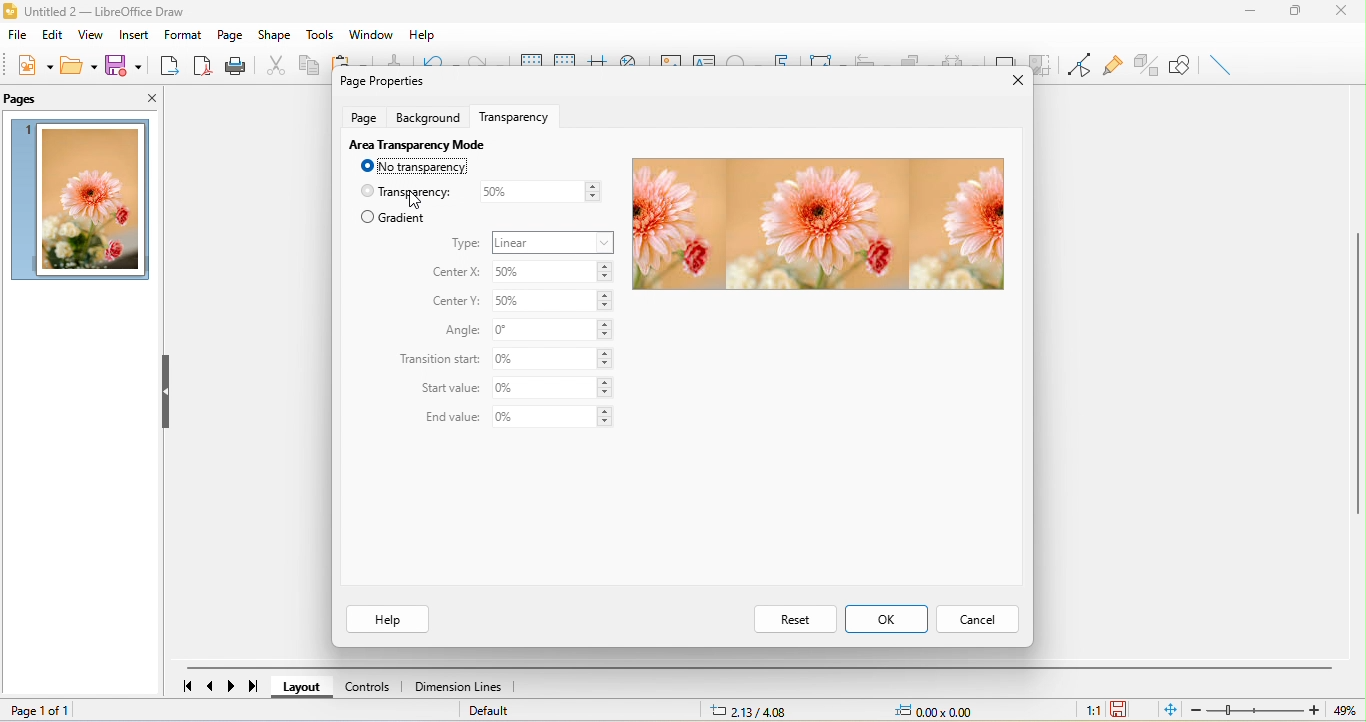  What do you see at coordinates (213, 684) in the screenshot?
I see `previous page` at bounding box center [213, 684].